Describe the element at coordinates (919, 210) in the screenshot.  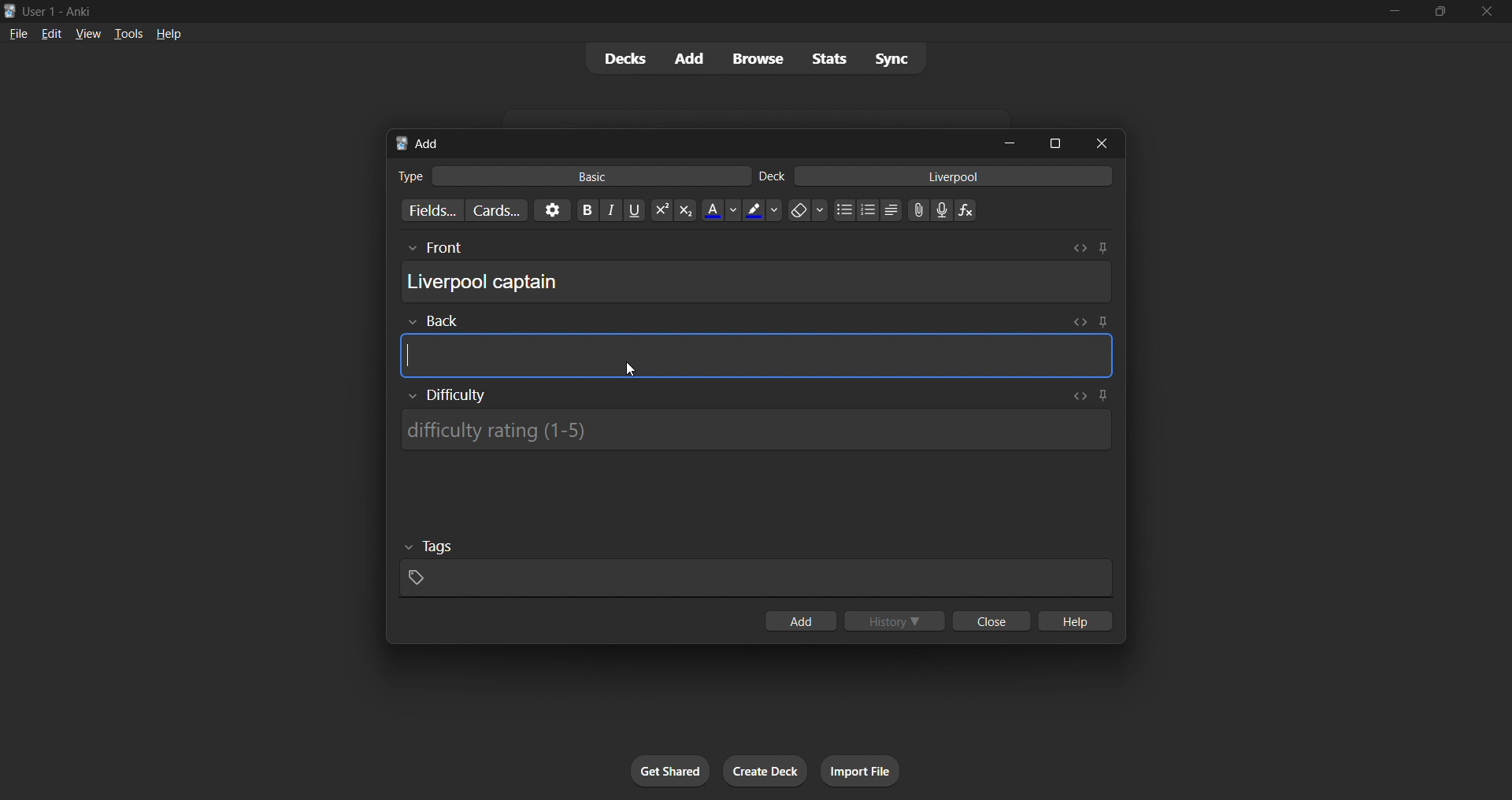
I see `Upload file` at that location.